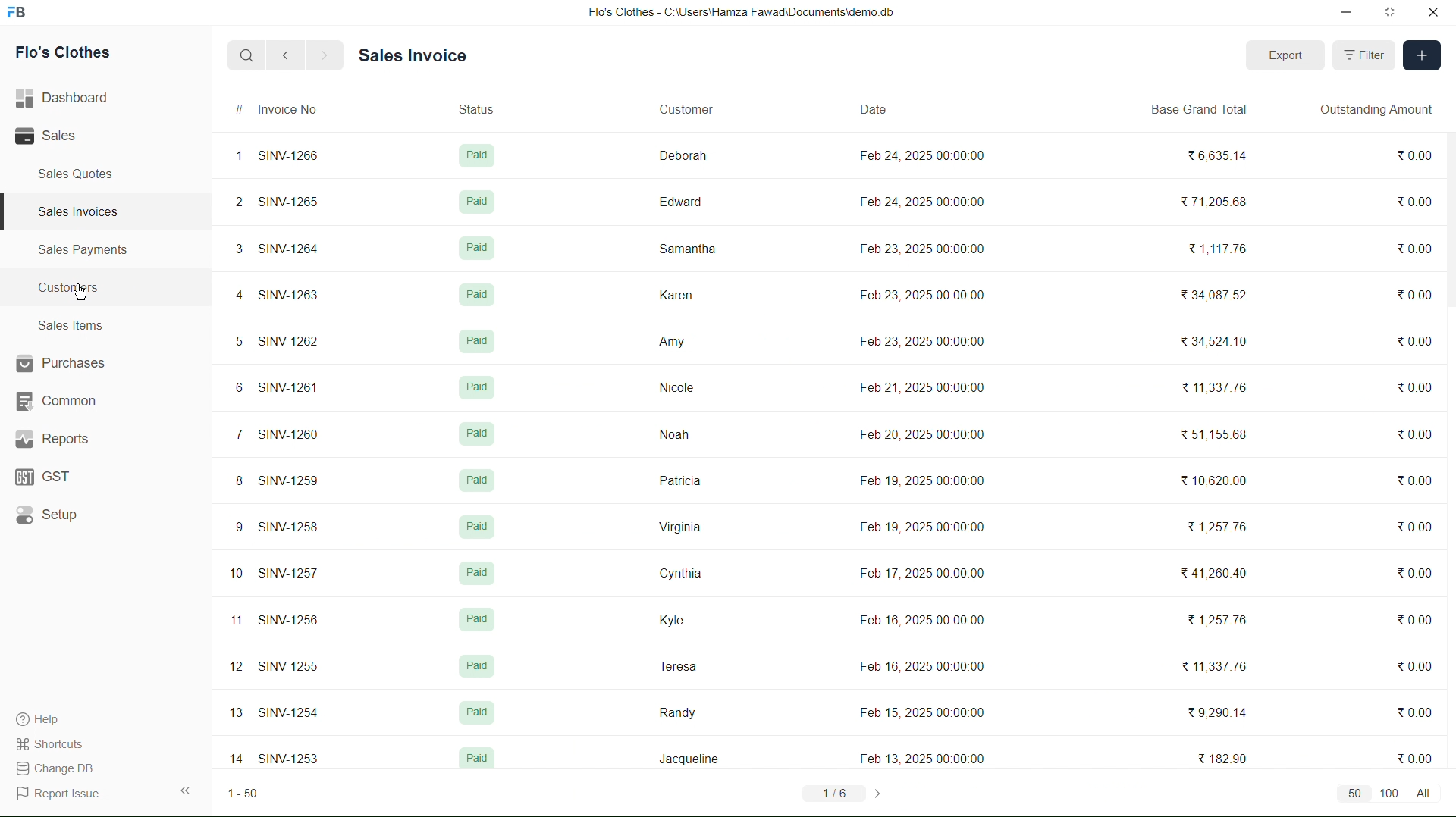  Describe the element at coordinates (1416, 619) in the screenshot. I see `0.00` at that location.